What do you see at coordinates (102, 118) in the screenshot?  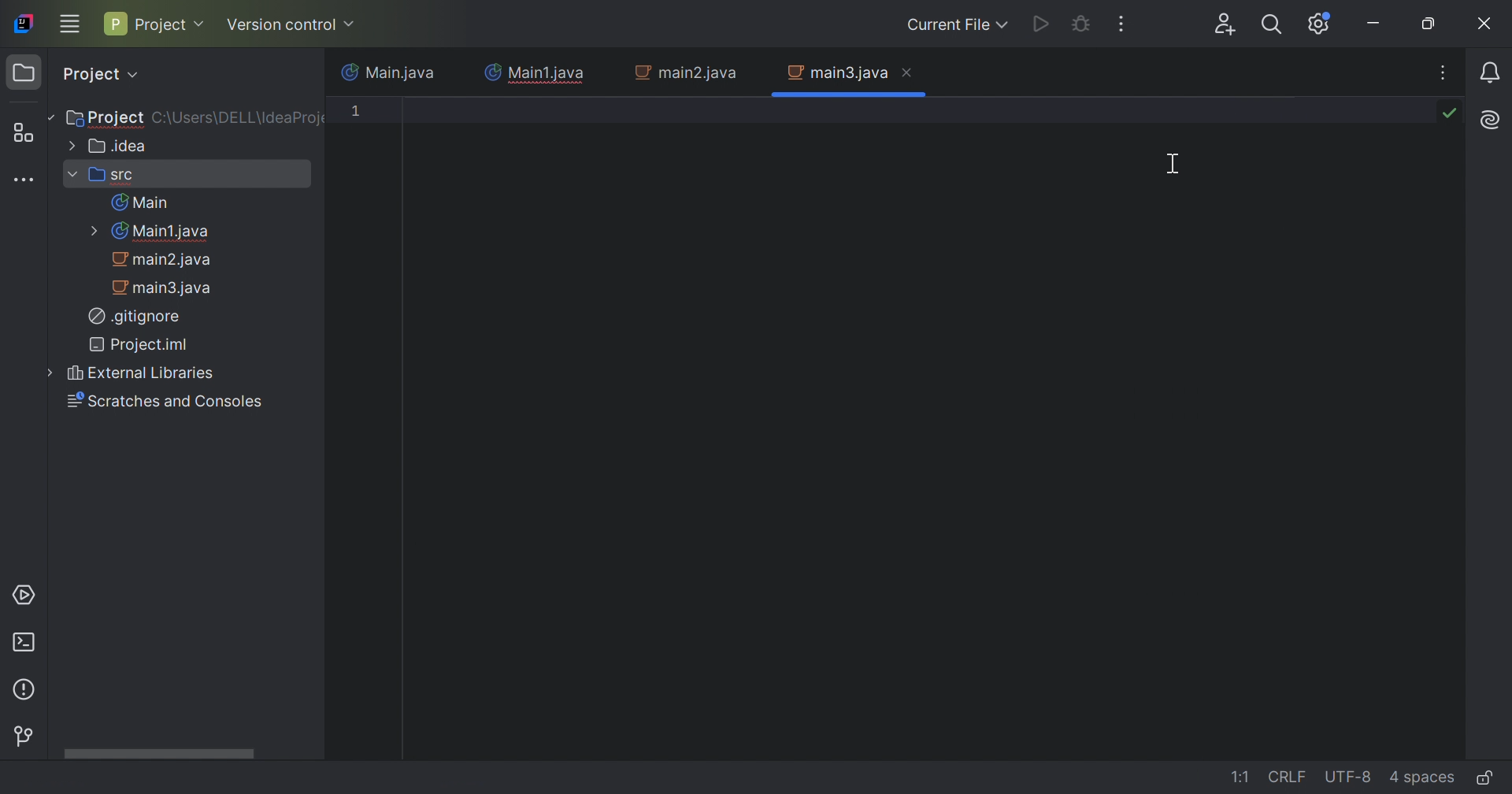 I see `Project` at bounding box center [102, 118].